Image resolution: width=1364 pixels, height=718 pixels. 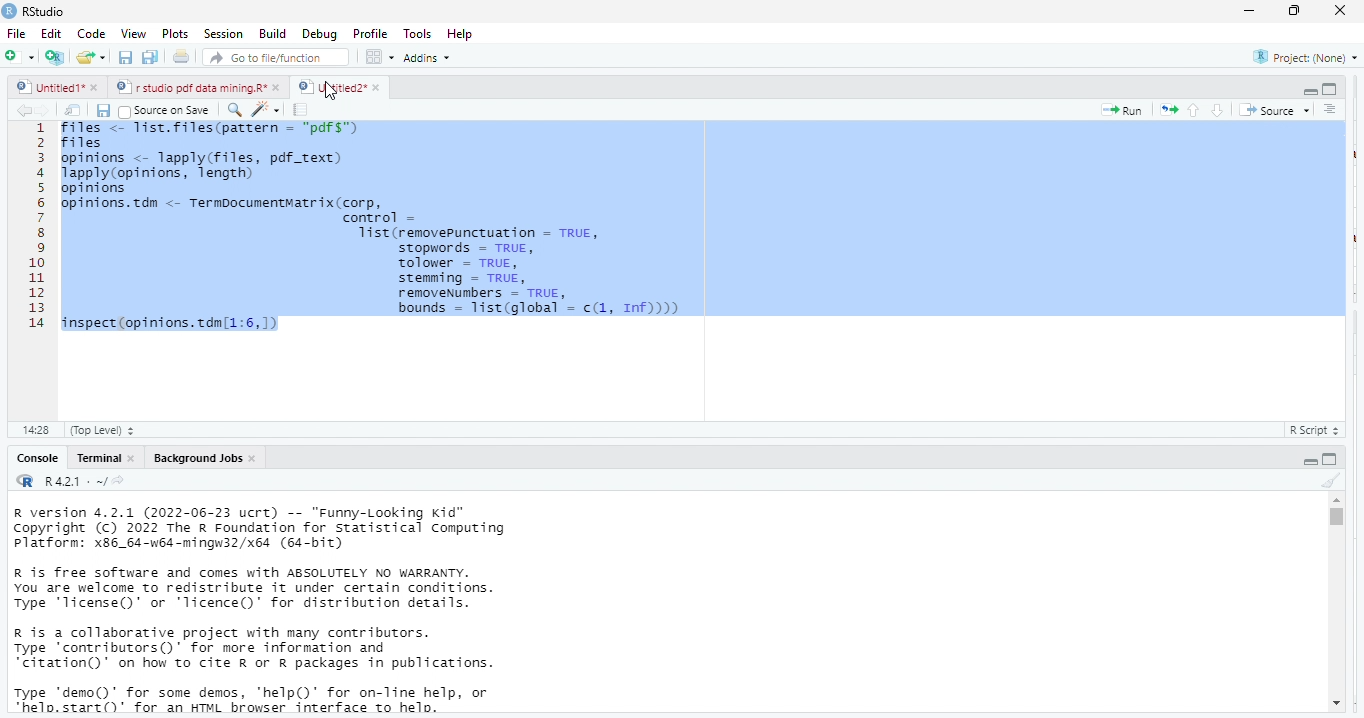 What do you see at coordinates (1336, 500) in the screenshot?
I see `scroll up` at bounding box center [1336, 500].